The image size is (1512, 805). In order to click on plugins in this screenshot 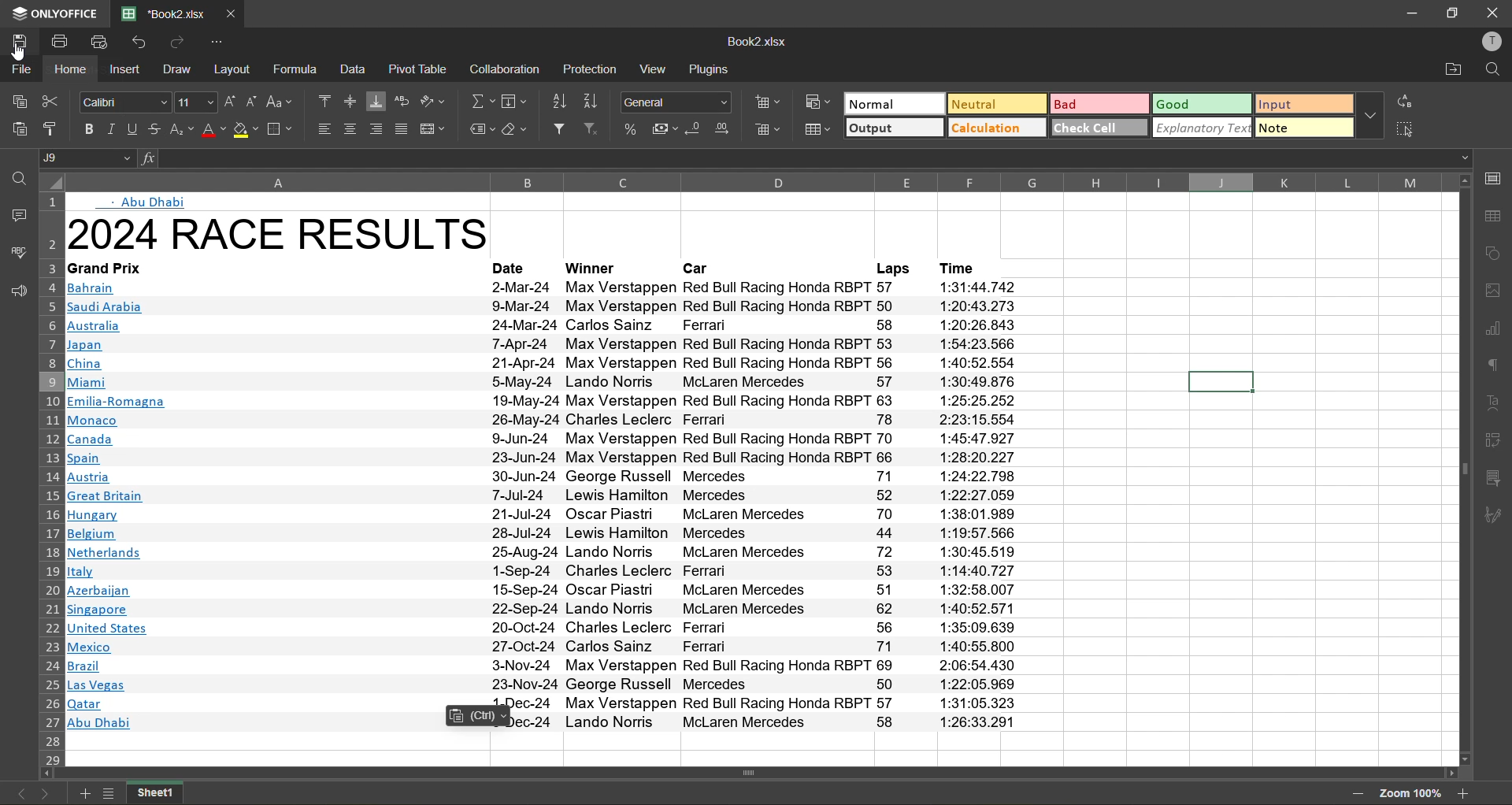, I will do `click(717, 69)`.